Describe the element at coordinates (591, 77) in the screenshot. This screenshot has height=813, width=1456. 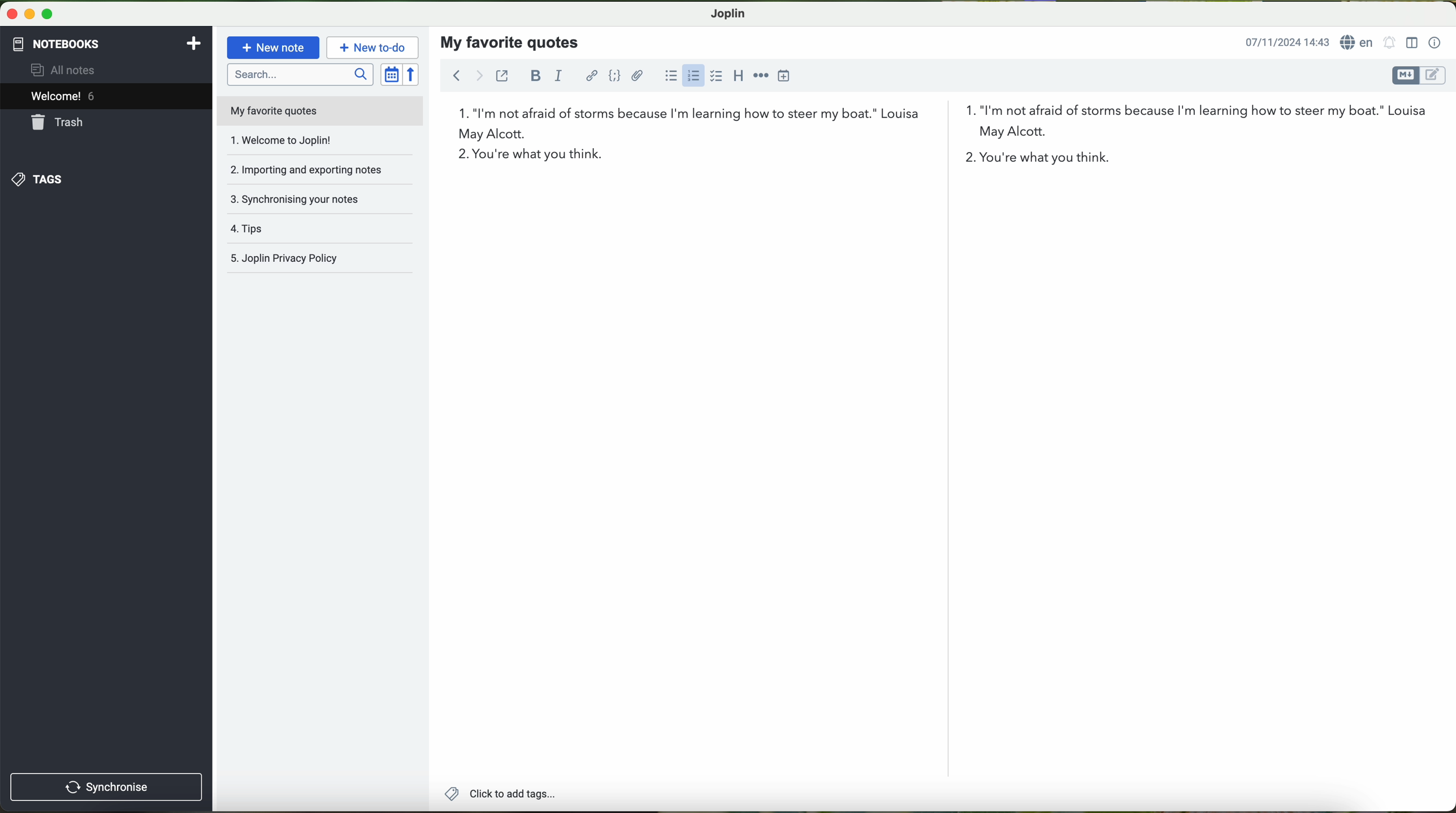
I see `hyperlink` at that location.